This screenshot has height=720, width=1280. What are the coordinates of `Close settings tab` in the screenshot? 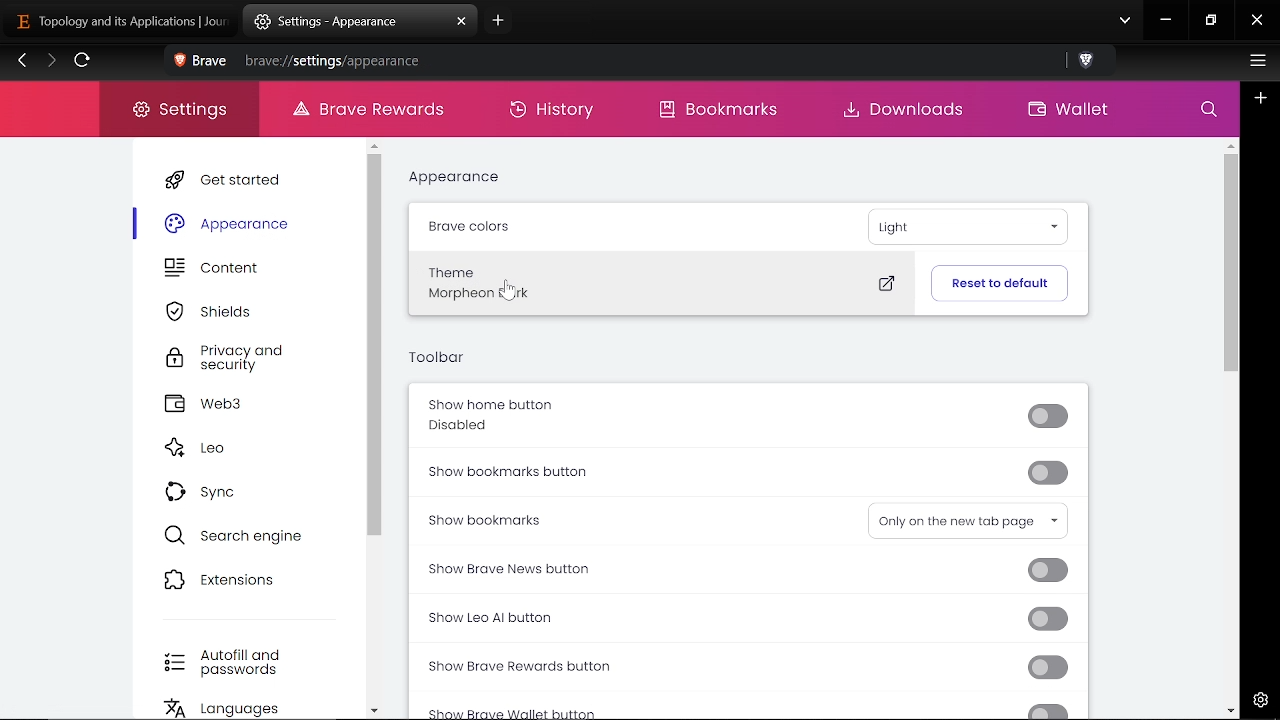 It's located at (462, 22).